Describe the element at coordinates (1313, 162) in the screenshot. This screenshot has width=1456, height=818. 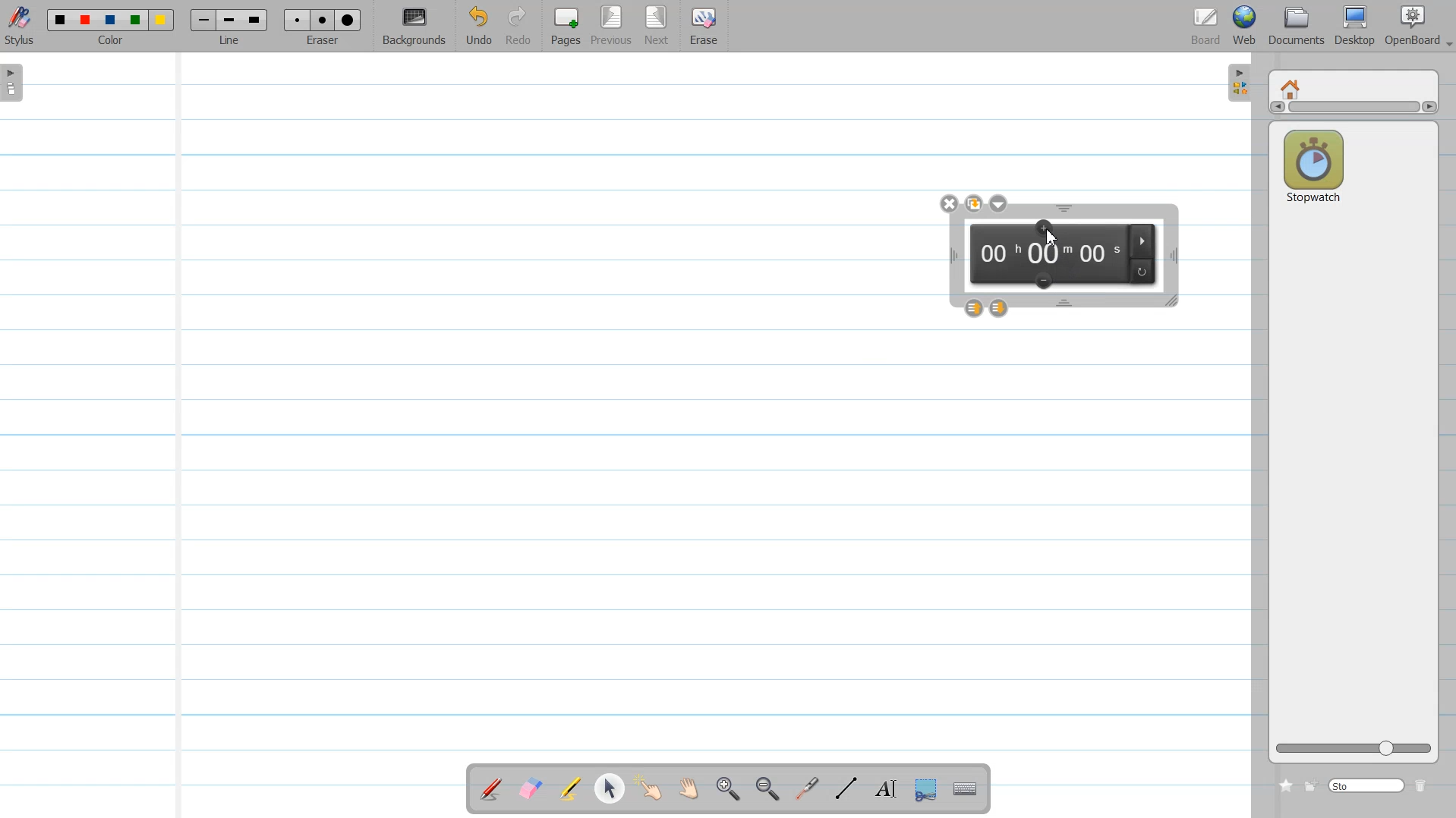
I see `Stop watch` at that location.